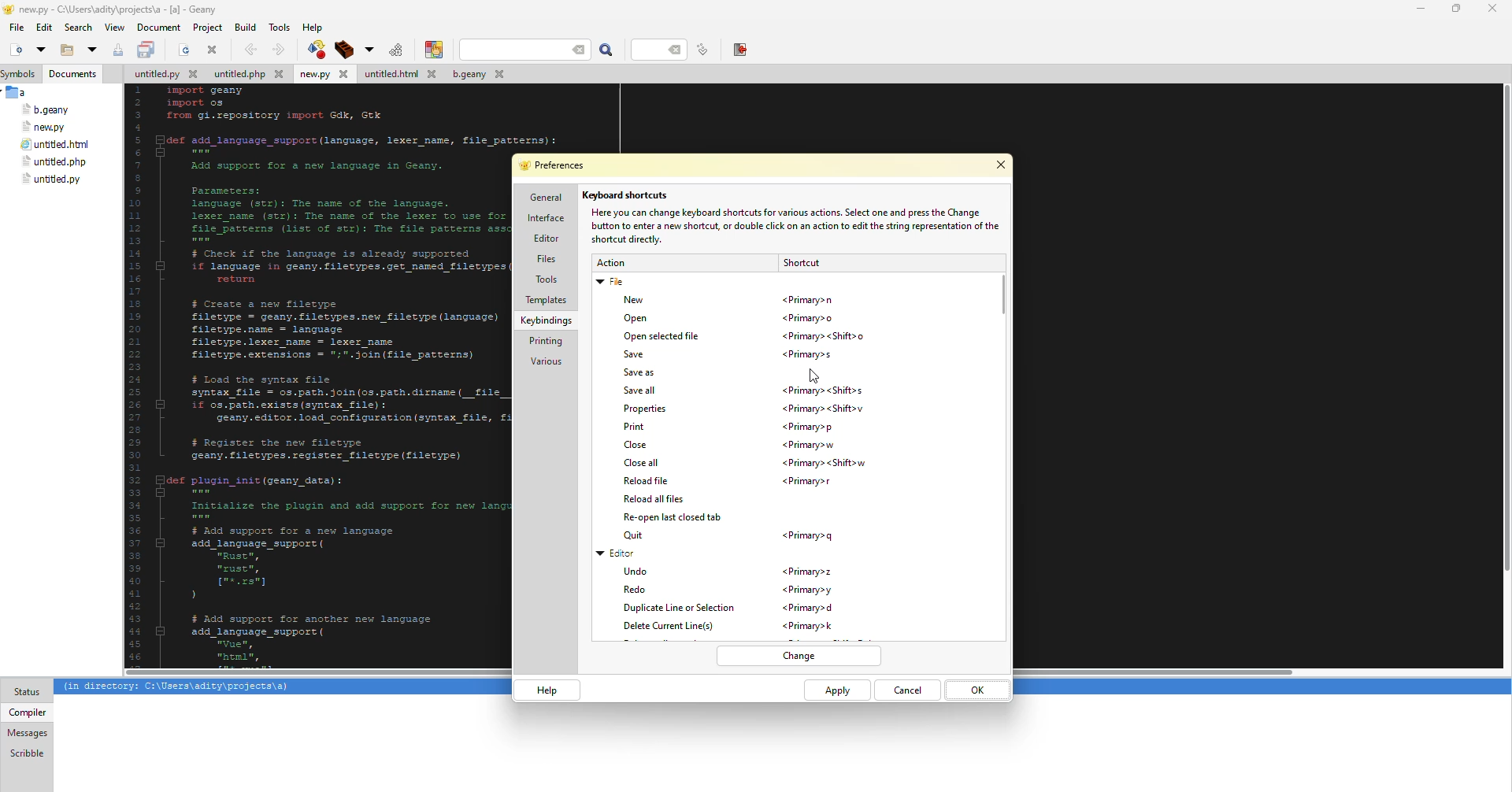 The width and height of the screenshot is (1512, 792). What do you see at coordinates (184, 51) in the screenshot?
I see `open` at bounding box center [184, 51].